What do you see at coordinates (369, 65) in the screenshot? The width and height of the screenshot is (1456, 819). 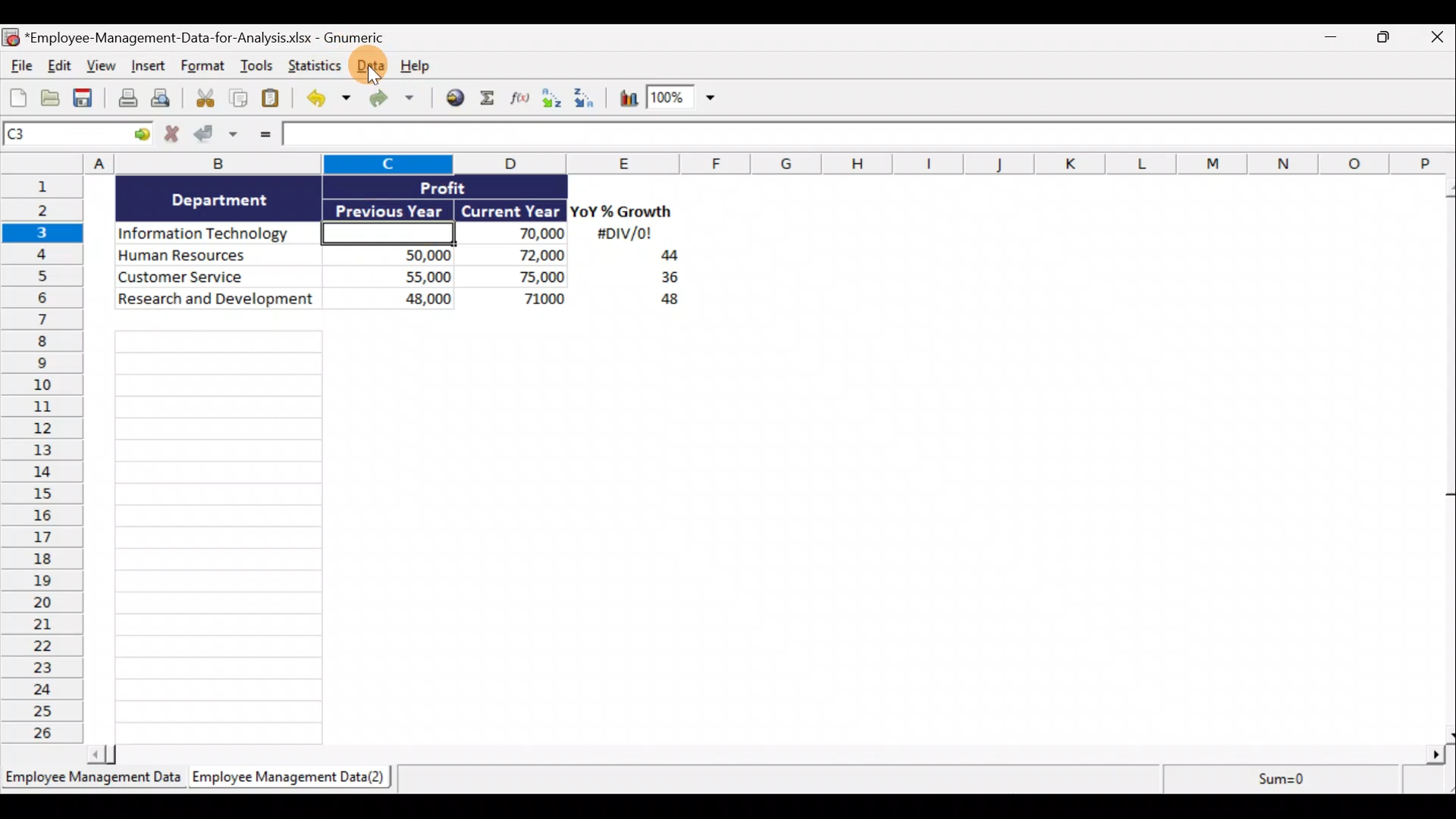 I see `Data` at bounding box center [369, 65].